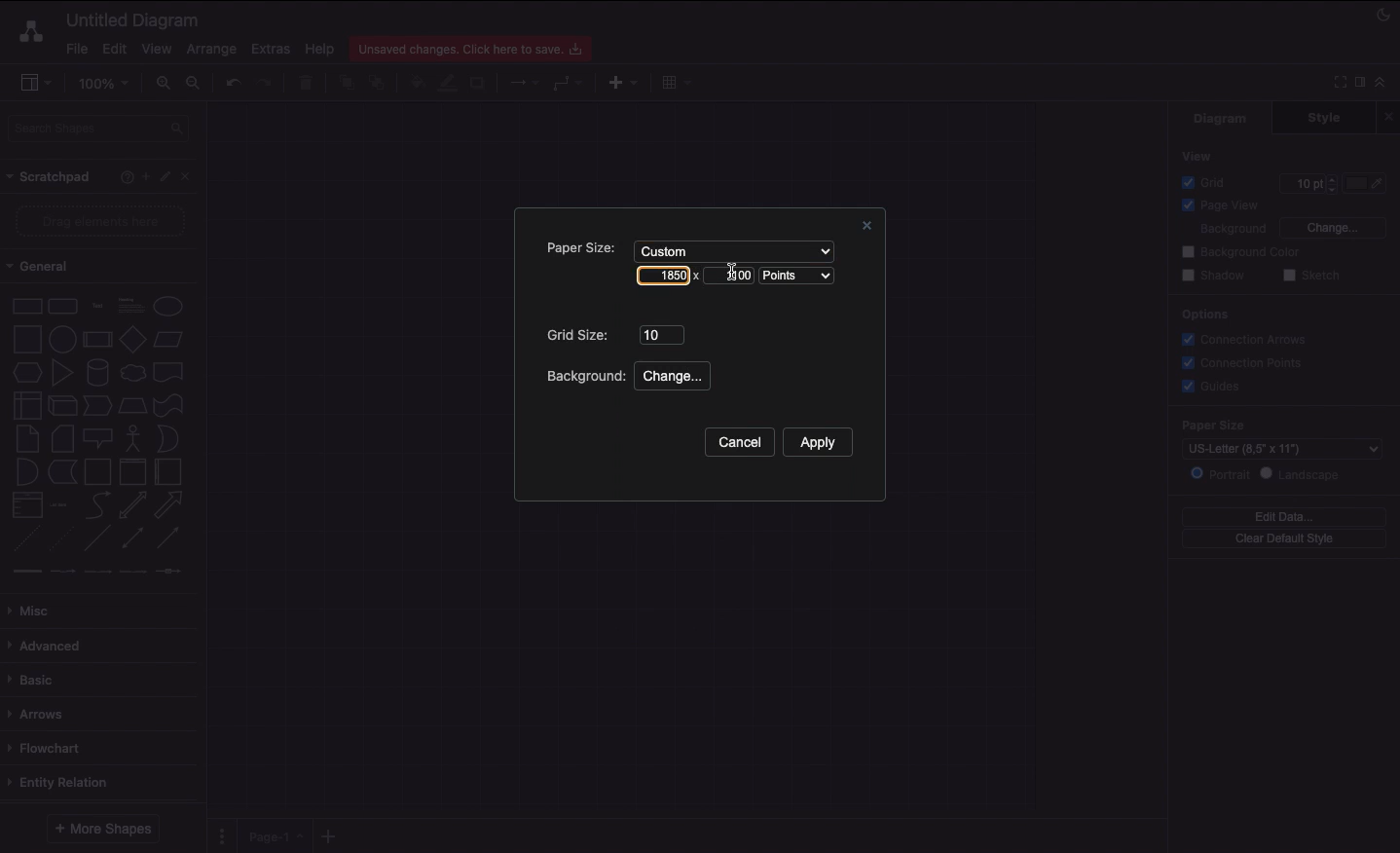 The image size is (1400, 853). What do you see at coordinates (1222, 118) in the screenshot?
I see `Diagram` at bounding box center [1222, 118].